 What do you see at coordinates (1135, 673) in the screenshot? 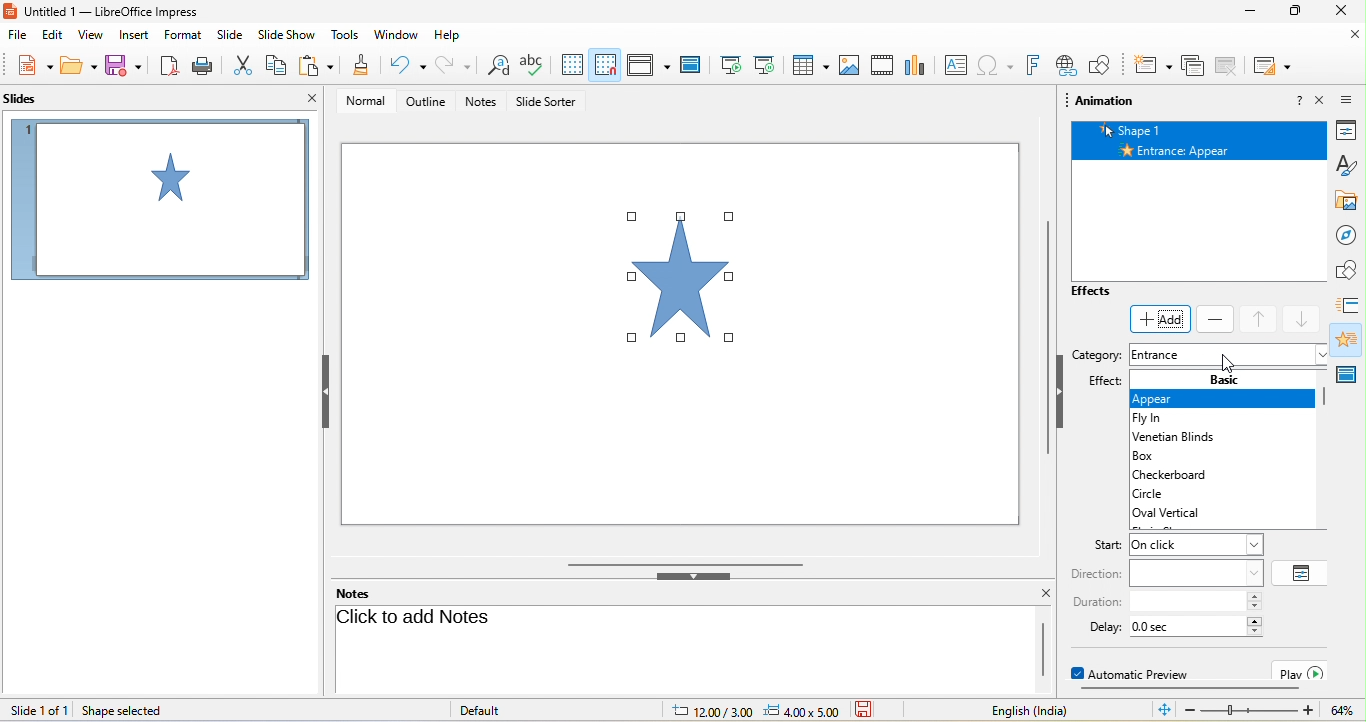
I see `automatic preview` at bounding box center [1135, 673].